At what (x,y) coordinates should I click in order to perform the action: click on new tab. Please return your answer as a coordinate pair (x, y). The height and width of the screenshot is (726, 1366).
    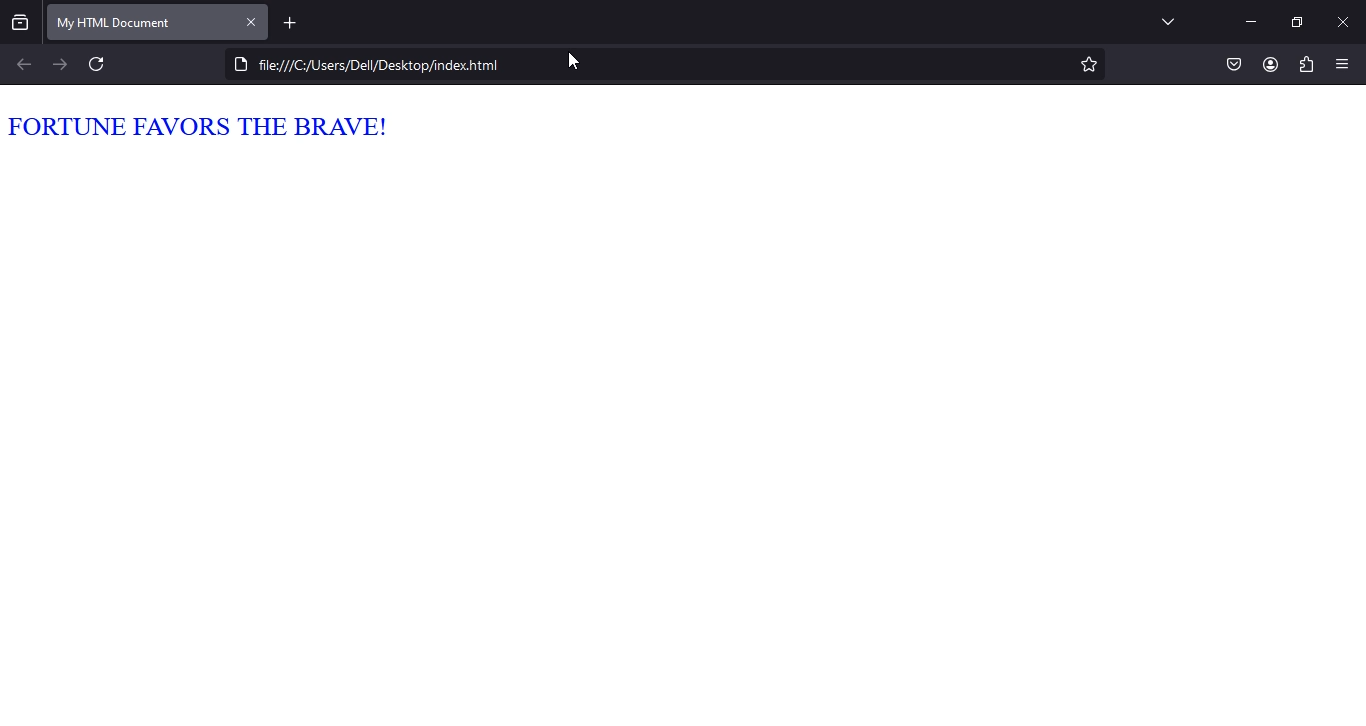
    Looking at the image, I should click on (291, 22).